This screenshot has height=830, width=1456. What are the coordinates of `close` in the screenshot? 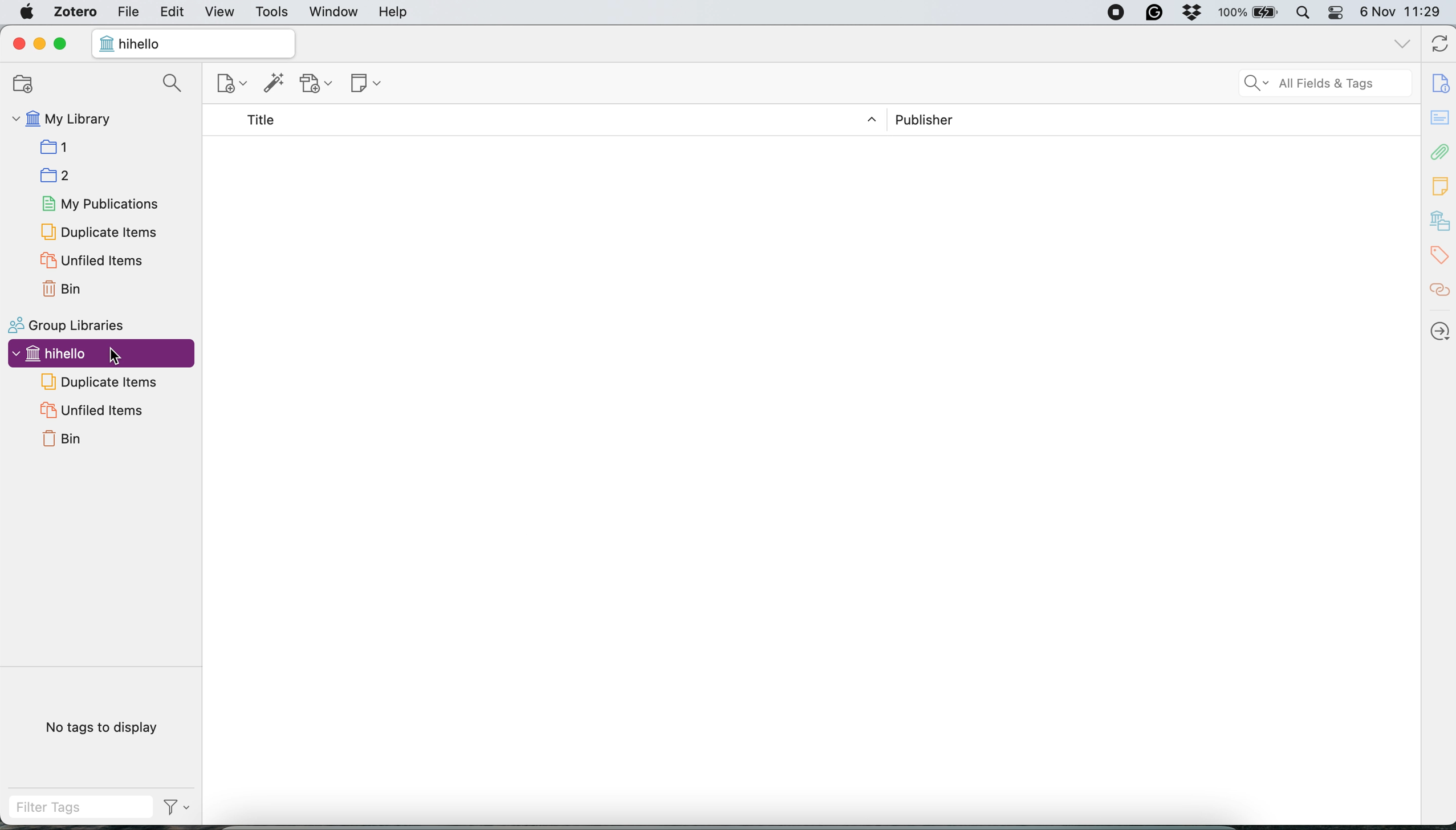 It's located at (19, 43).